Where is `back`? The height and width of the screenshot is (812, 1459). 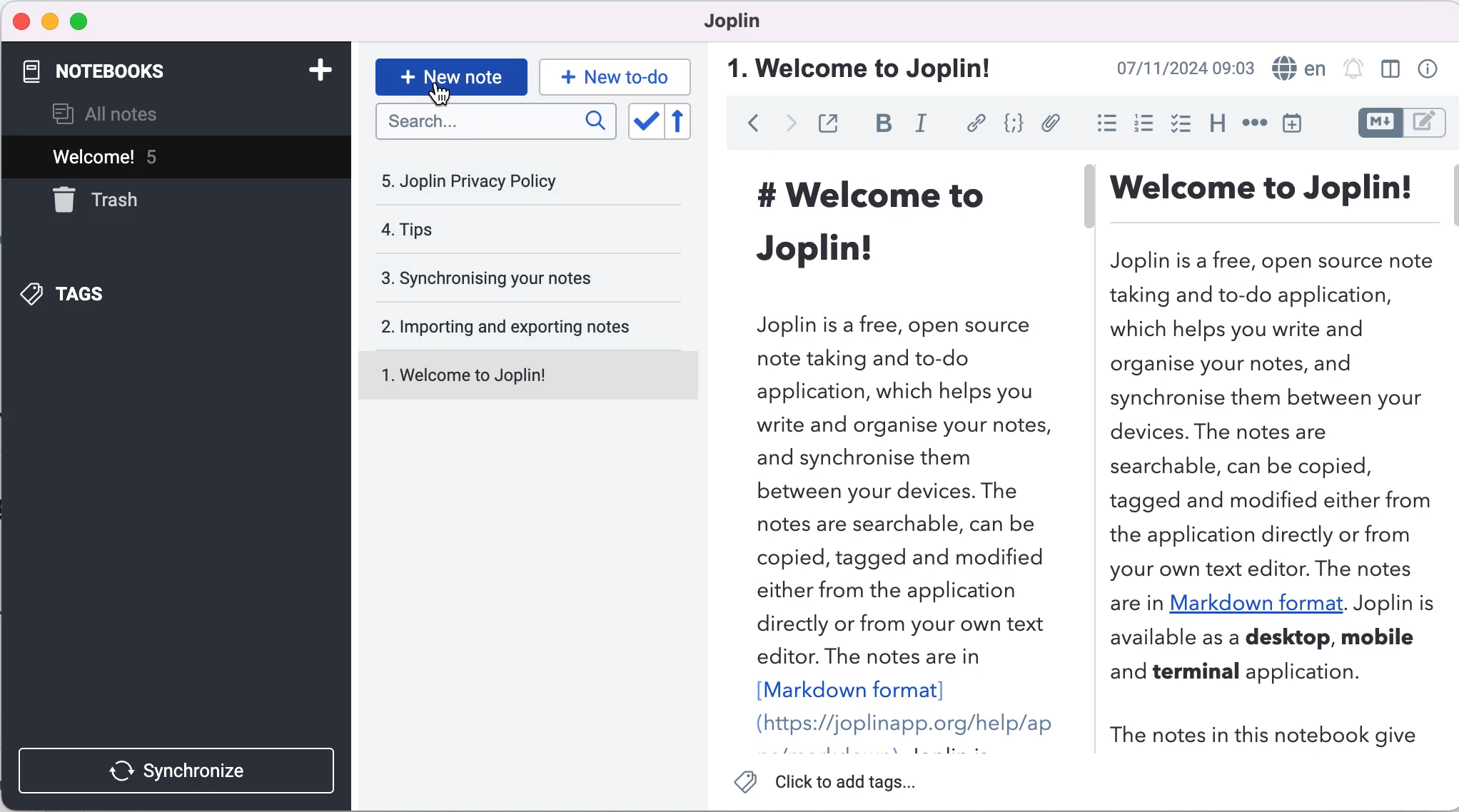
back is located at coordinates (749, 123).